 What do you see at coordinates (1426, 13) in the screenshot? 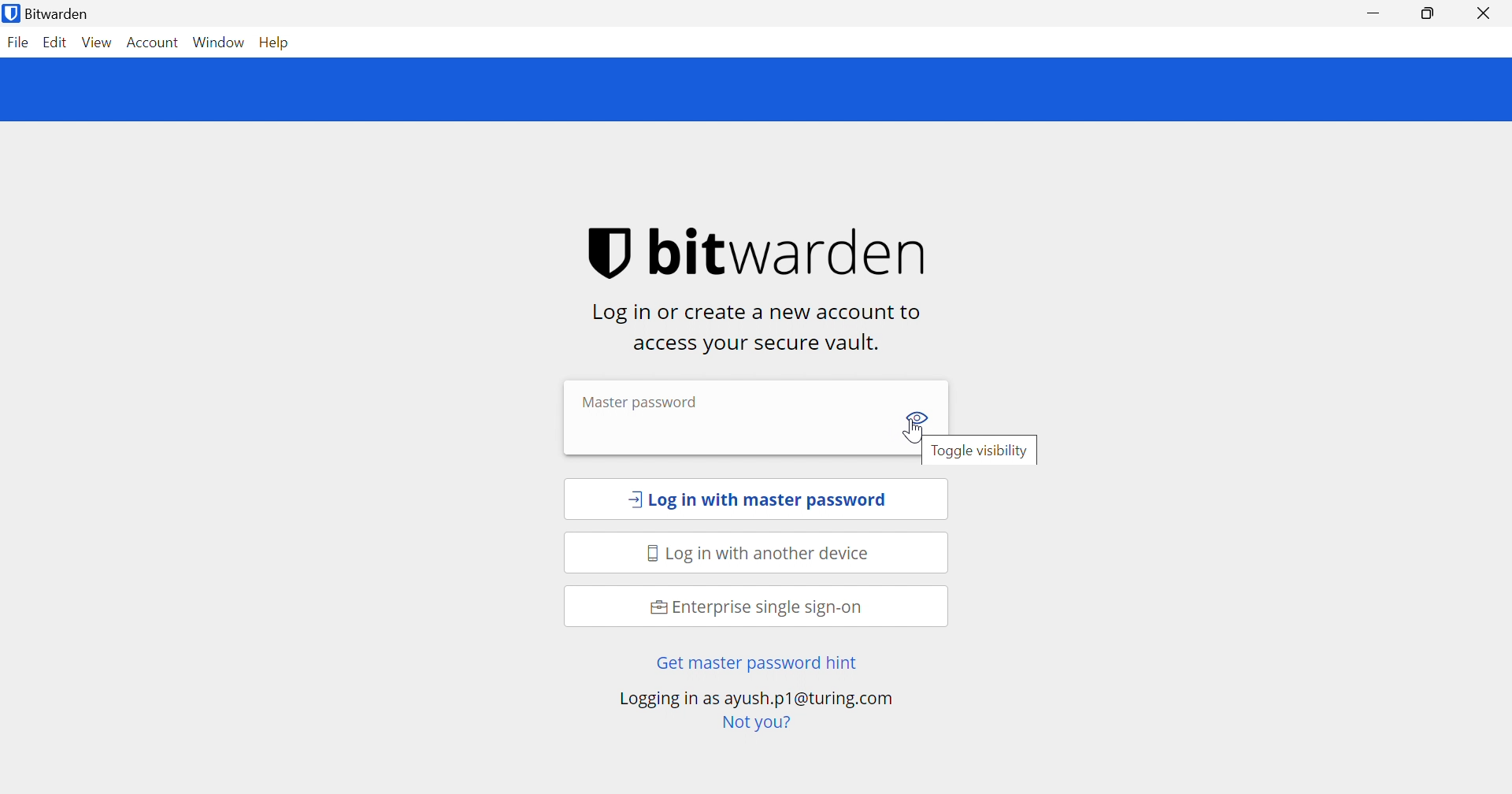
I see `Restore Down` at bounding box center [1426, 13].